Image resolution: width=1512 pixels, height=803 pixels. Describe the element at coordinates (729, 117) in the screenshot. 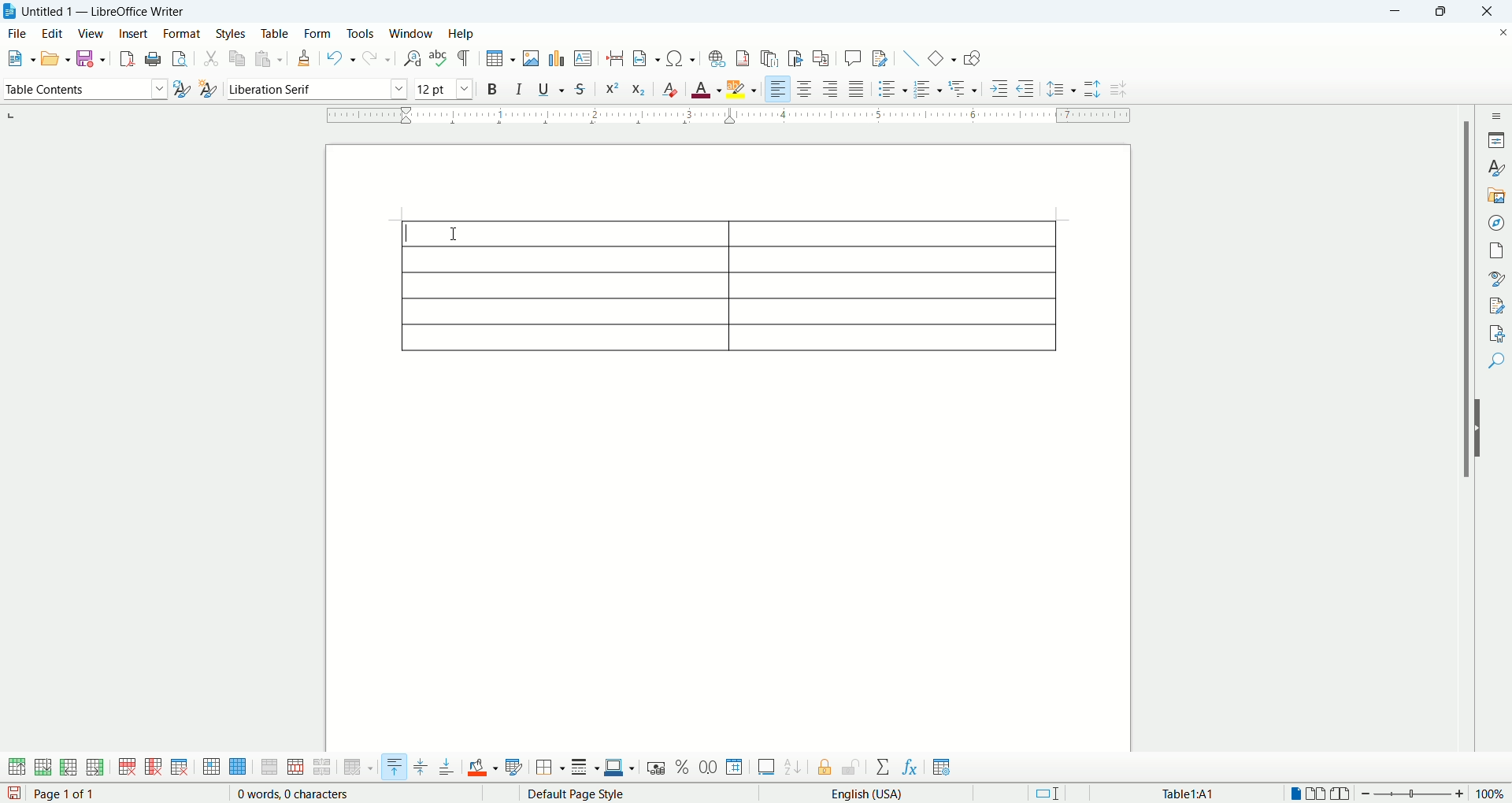

I see `border` at that location.